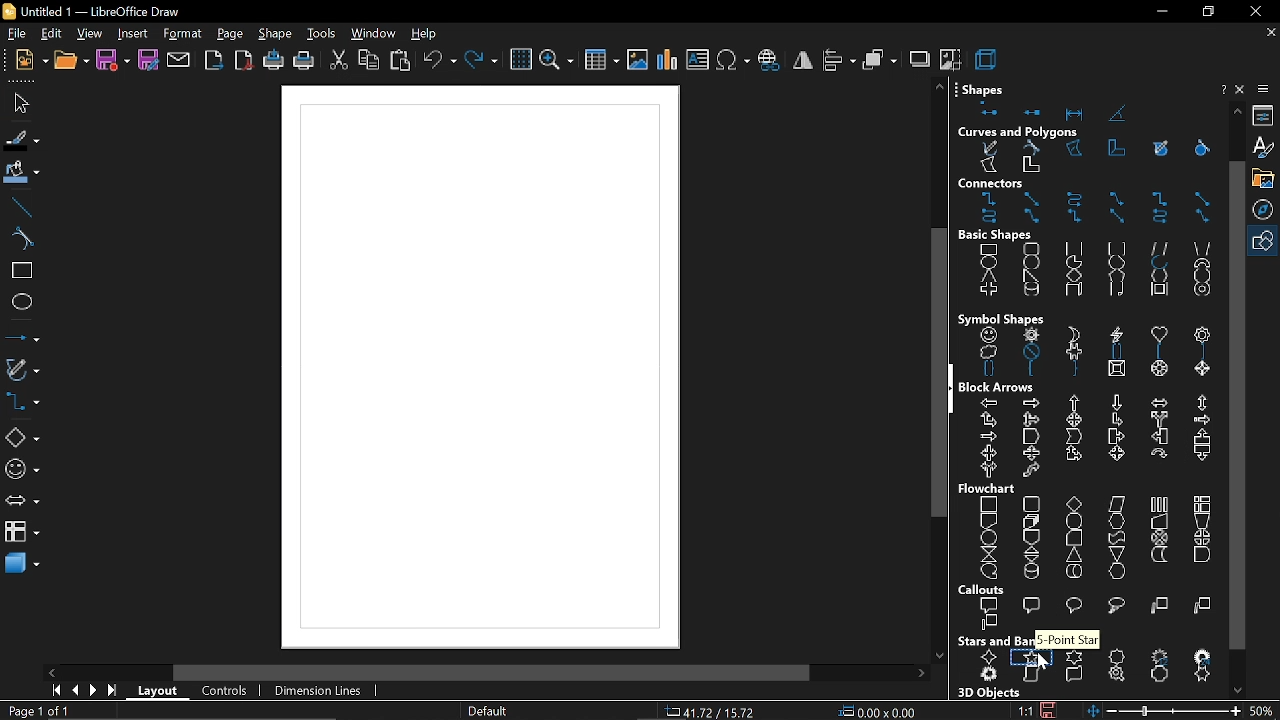 The height and width of the screenshot is (720, 1280). Describe the element at coordinates (1237, 111) in the screenshot. I see `move up` at that location.